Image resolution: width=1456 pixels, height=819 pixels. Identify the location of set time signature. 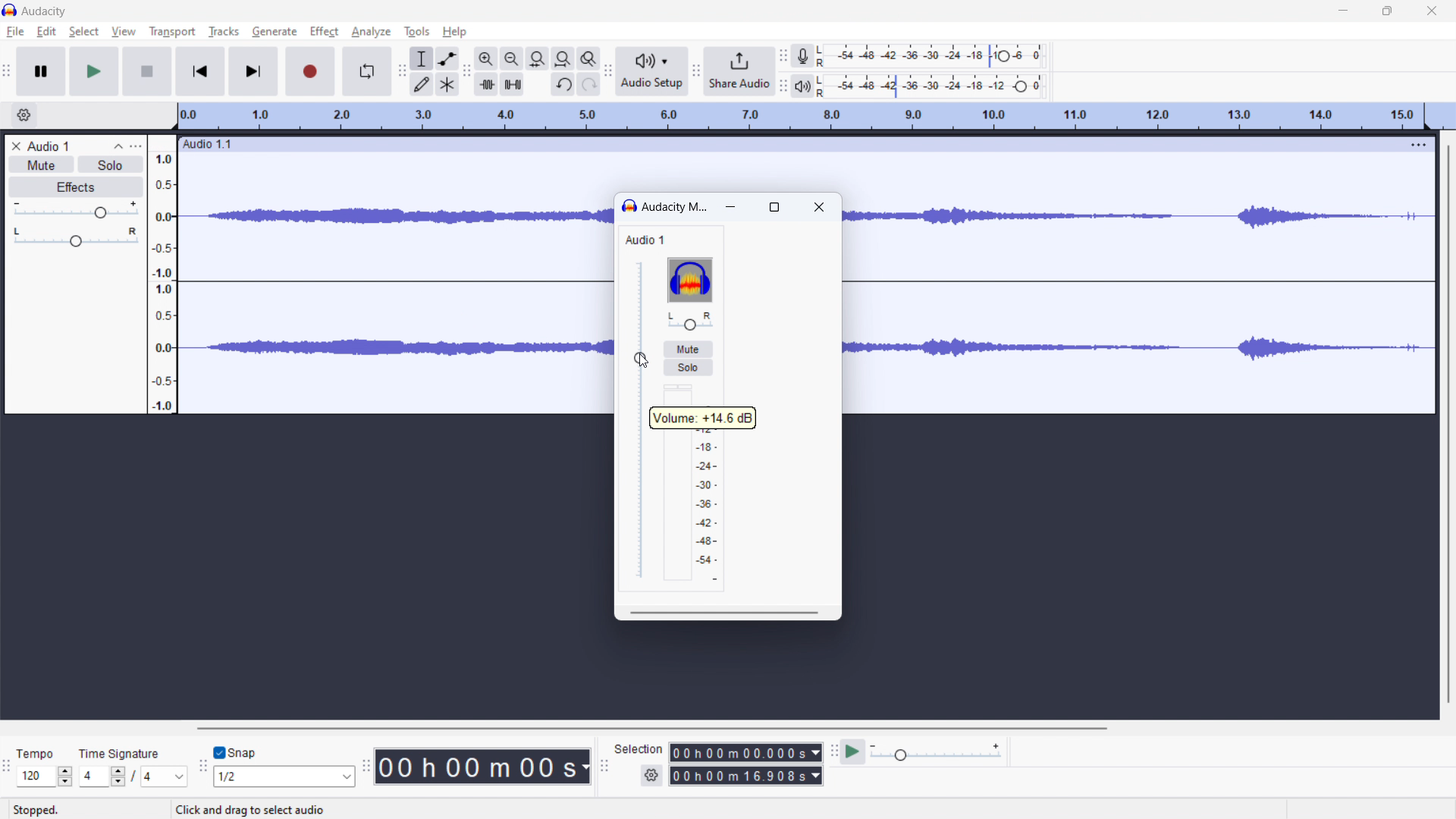
(133, 776).